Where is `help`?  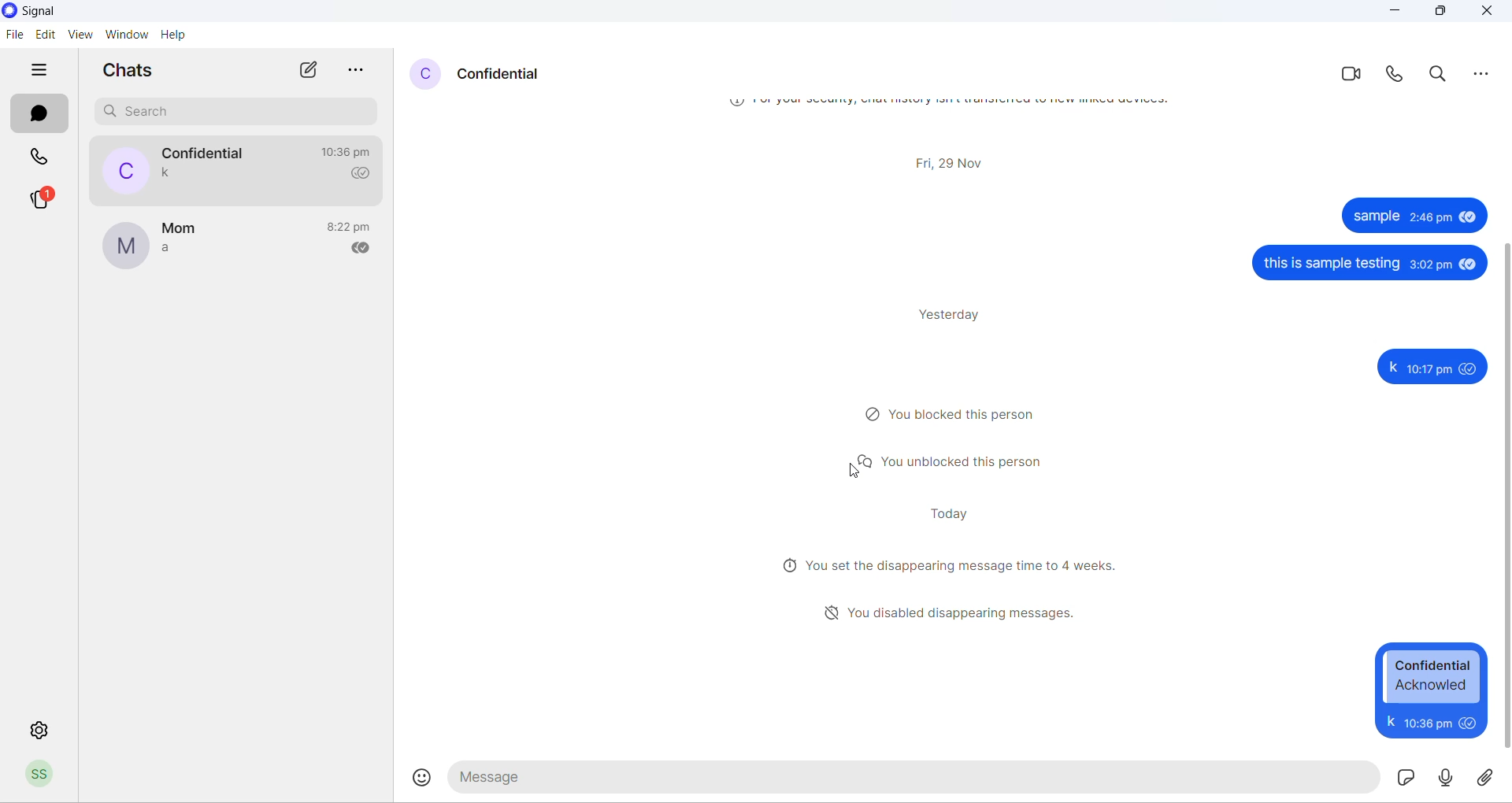 help is located at coordinates (176, 37).